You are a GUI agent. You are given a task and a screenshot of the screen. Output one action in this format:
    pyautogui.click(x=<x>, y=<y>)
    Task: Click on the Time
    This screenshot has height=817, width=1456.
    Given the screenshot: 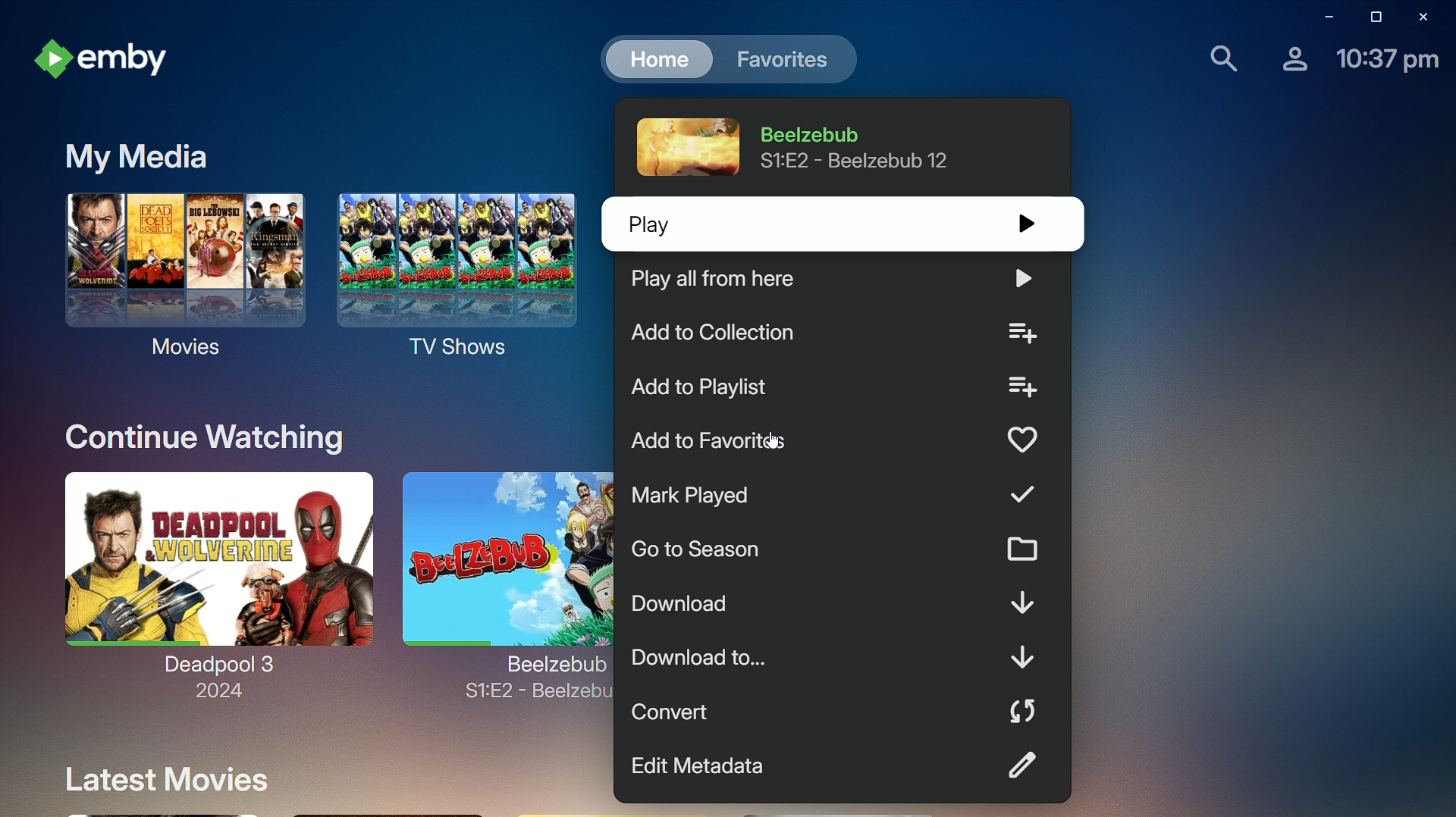 What is the action you would take?
    pyautogui.click(x=1385, y=64)
    